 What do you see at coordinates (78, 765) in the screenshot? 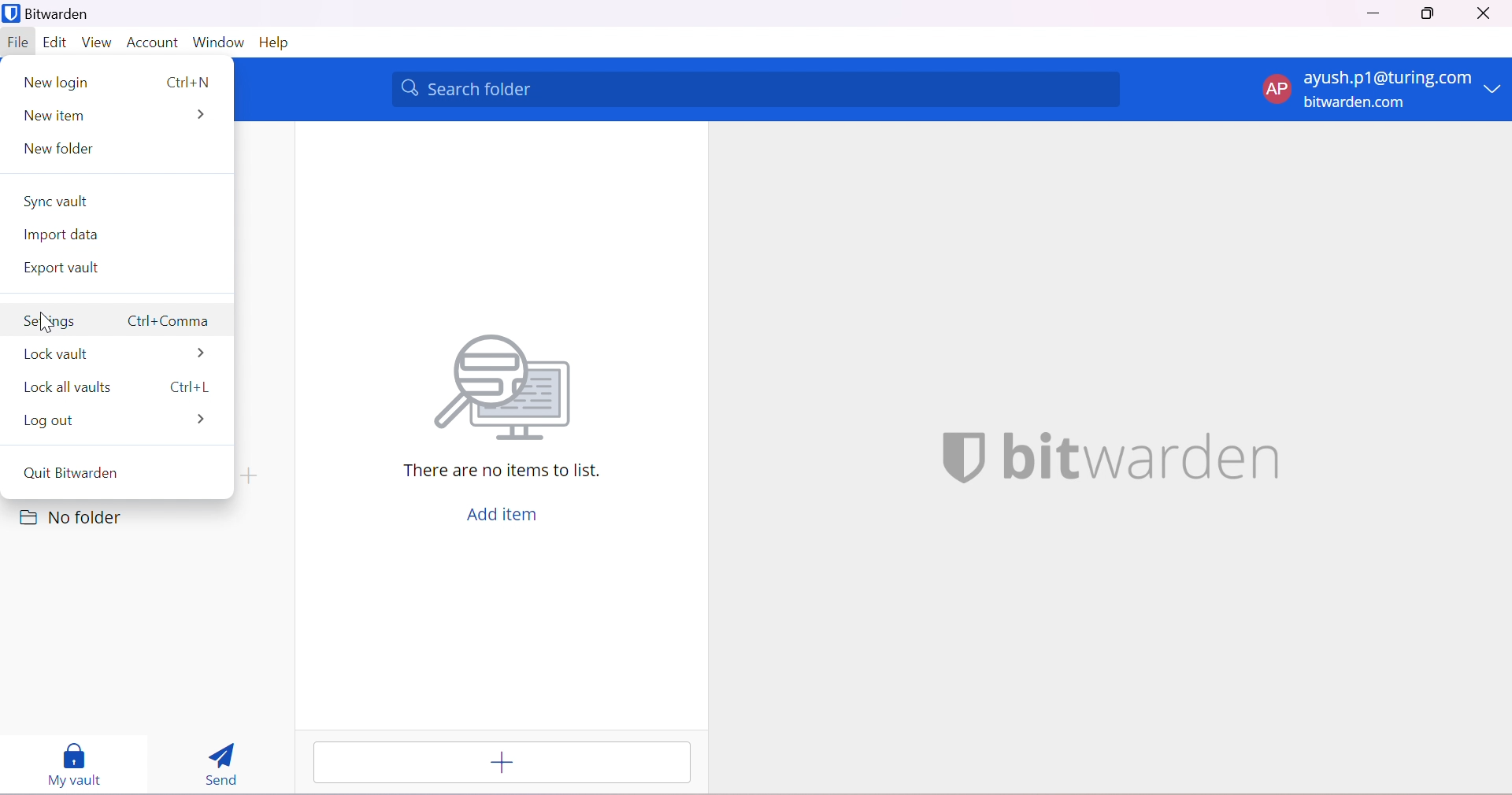
I see `My vault` at bounding box center [78, 765].